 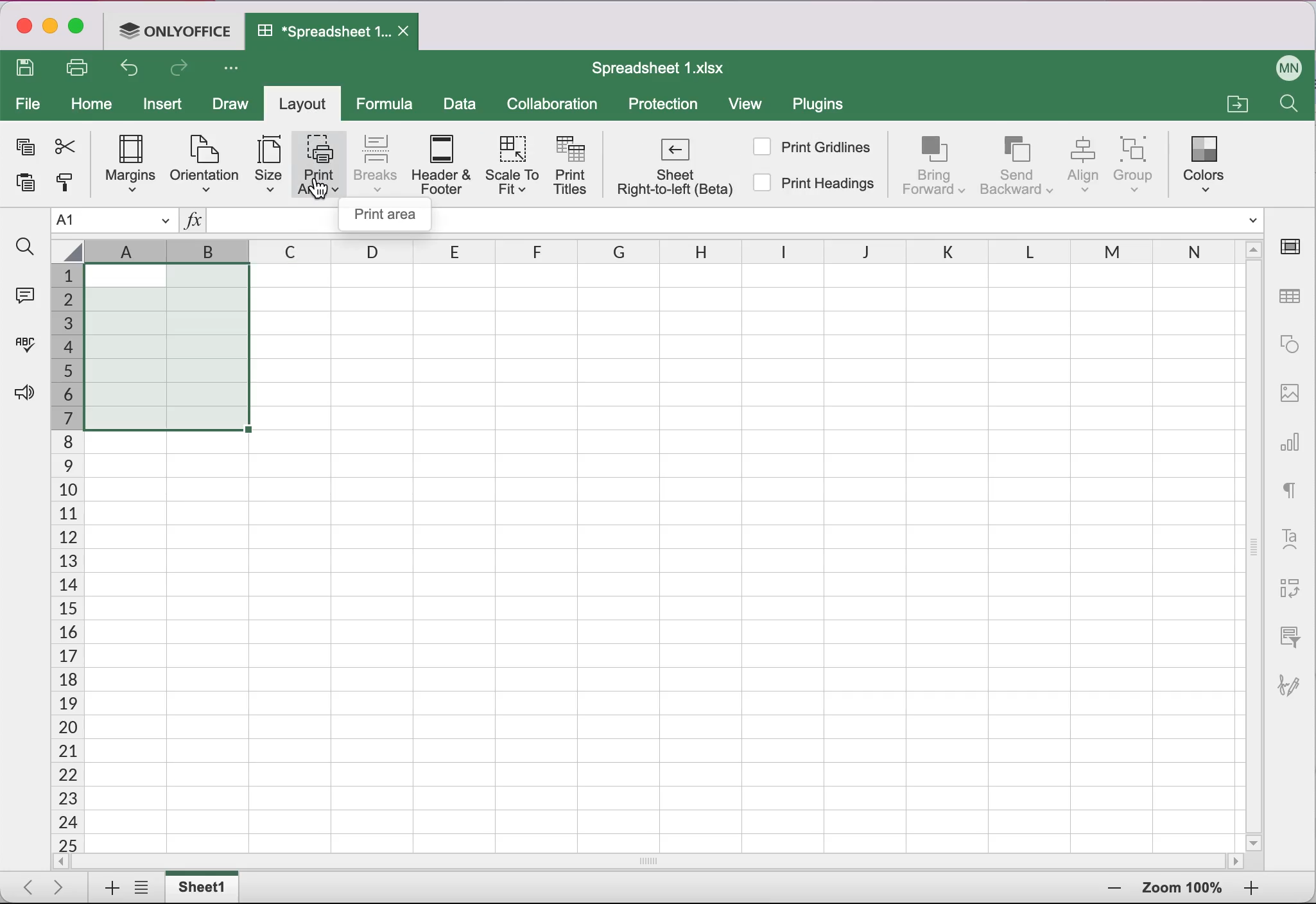 I want to click on insert, so click(x=166, y=107).